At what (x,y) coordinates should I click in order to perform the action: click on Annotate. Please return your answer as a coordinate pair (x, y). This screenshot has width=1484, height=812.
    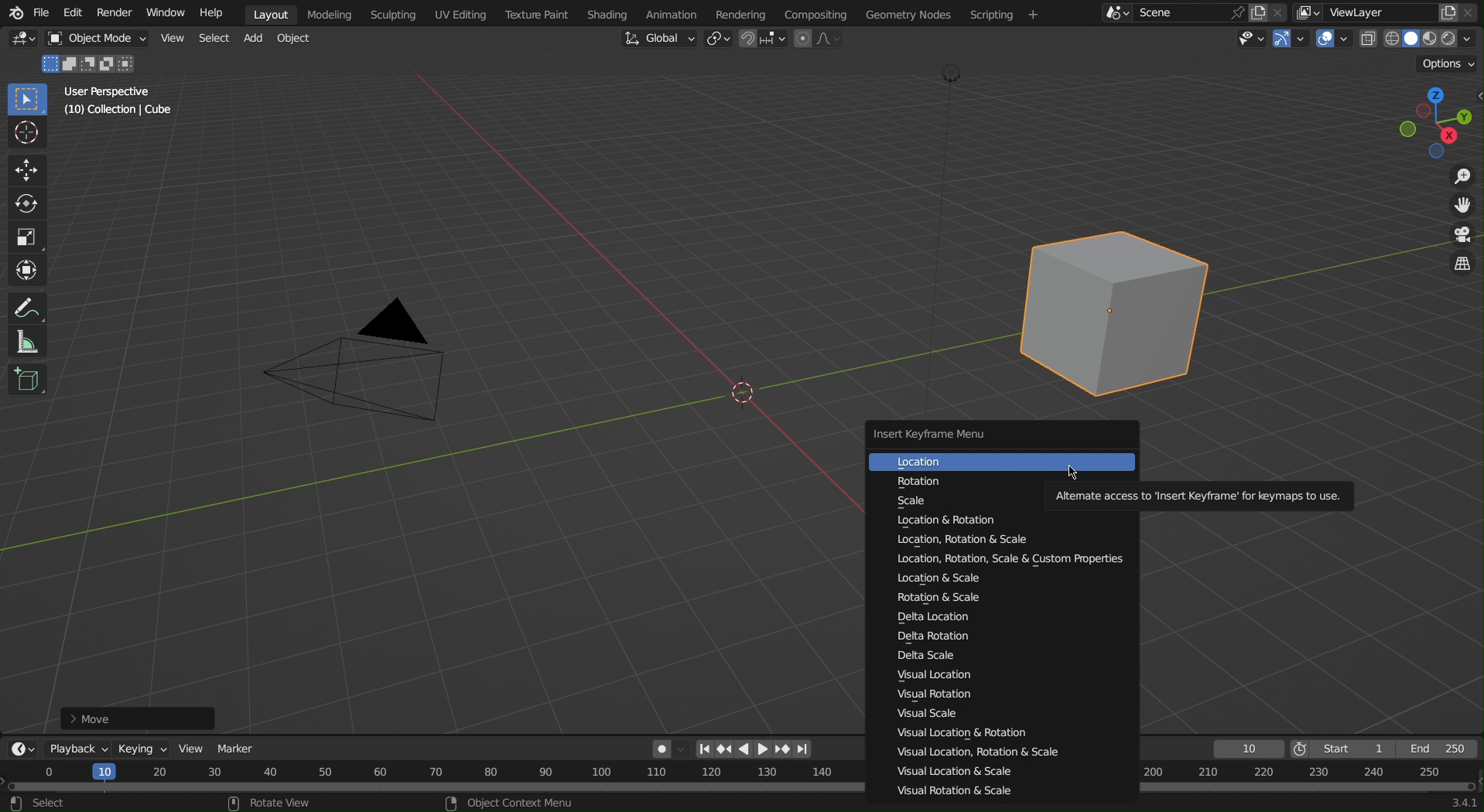
    Looking at the image, I should click on (26, 309).